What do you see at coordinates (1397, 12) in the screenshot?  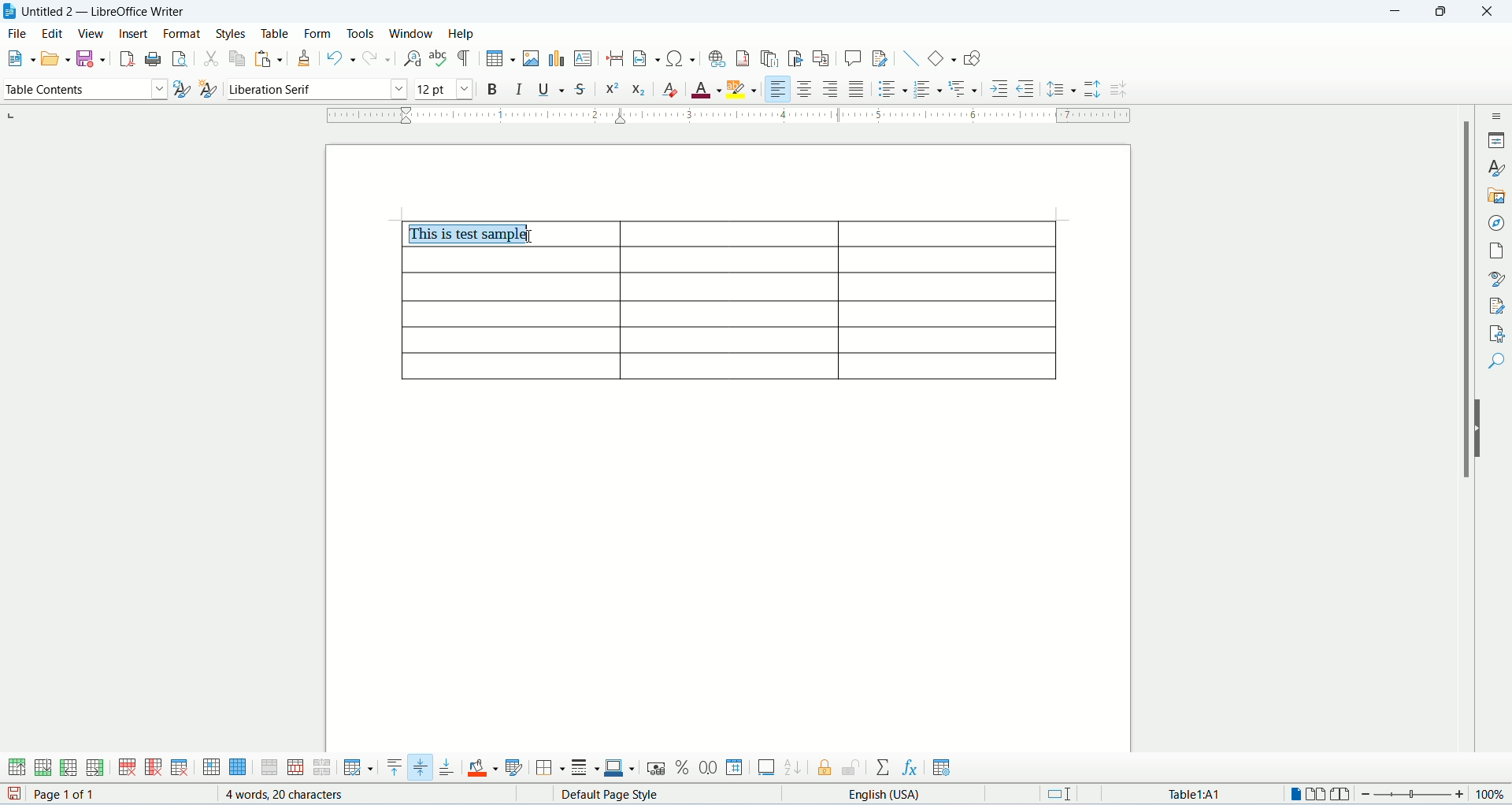 I see `minimize` at bounding box center [1397, 12].